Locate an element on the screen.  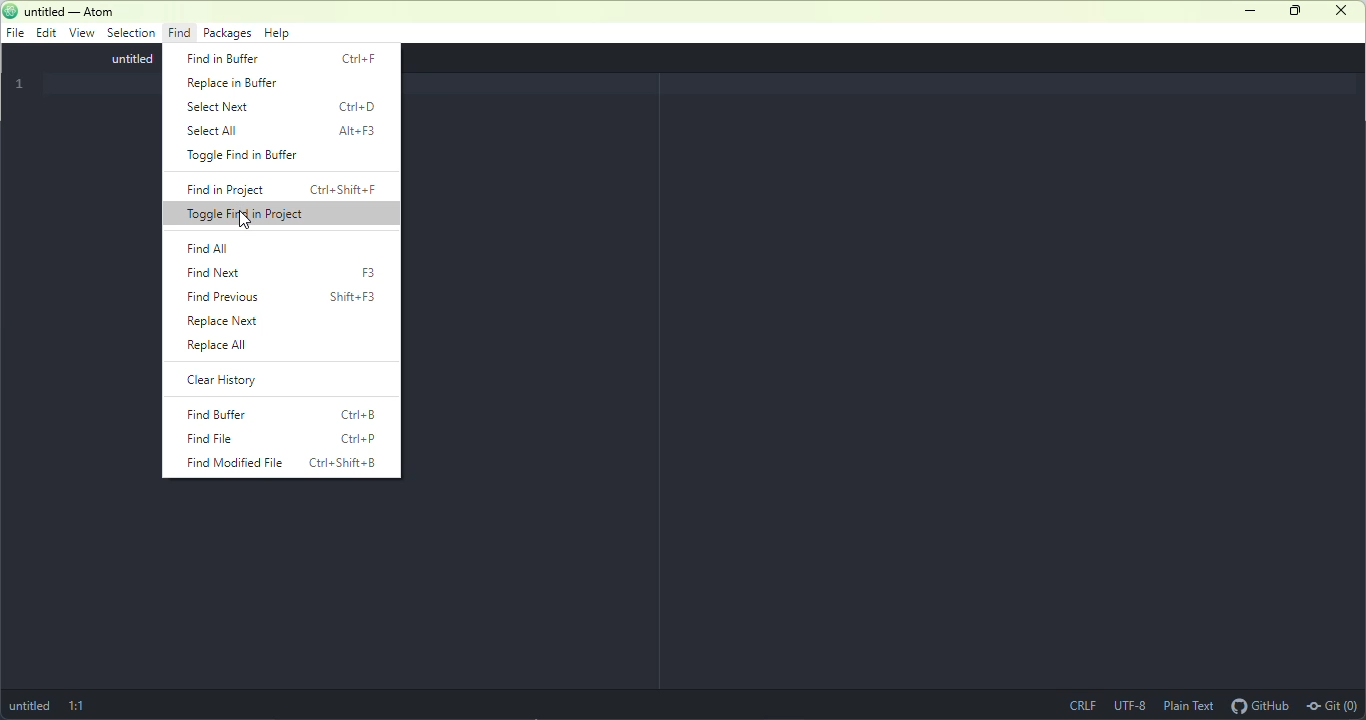
toggle find in buffer is located at coordinates (250, 158).